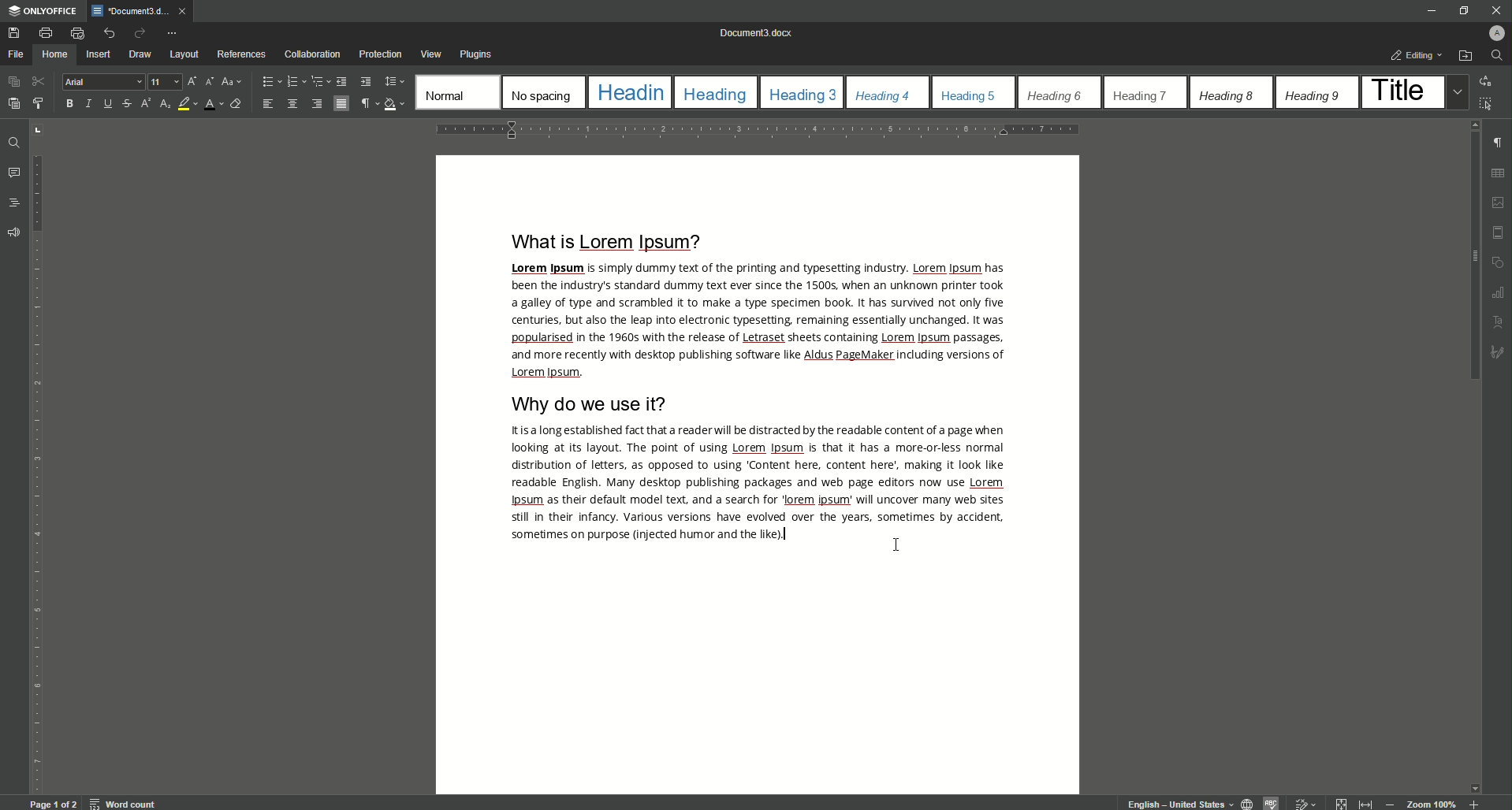 The width and height of the screenshot is (1512, 810). Describe the element at coordinates (1273, 802) in the screenshot. I see `spelling check` at that location.